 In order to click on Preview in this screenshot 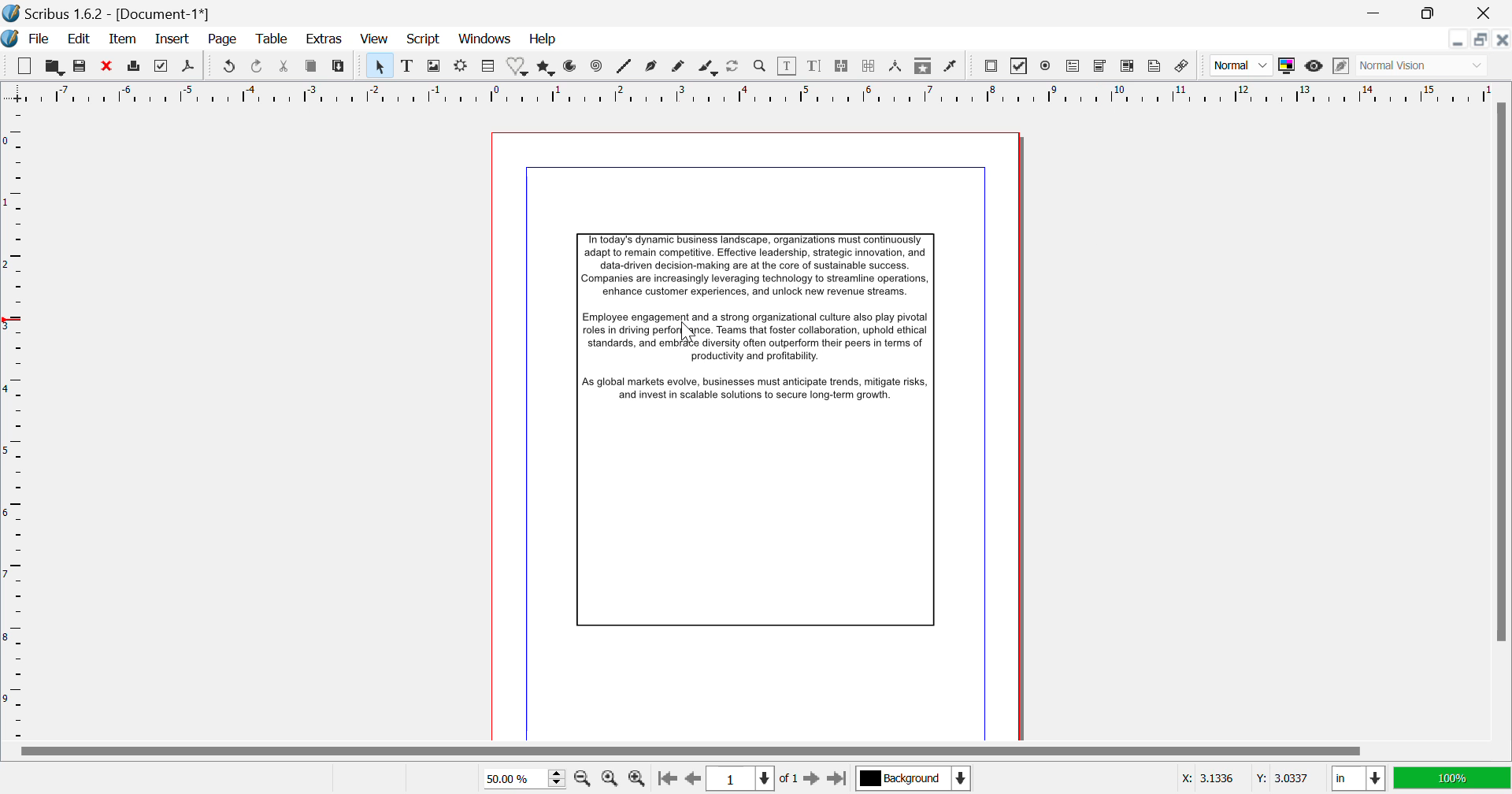, I will do `click(1314, 66)`.